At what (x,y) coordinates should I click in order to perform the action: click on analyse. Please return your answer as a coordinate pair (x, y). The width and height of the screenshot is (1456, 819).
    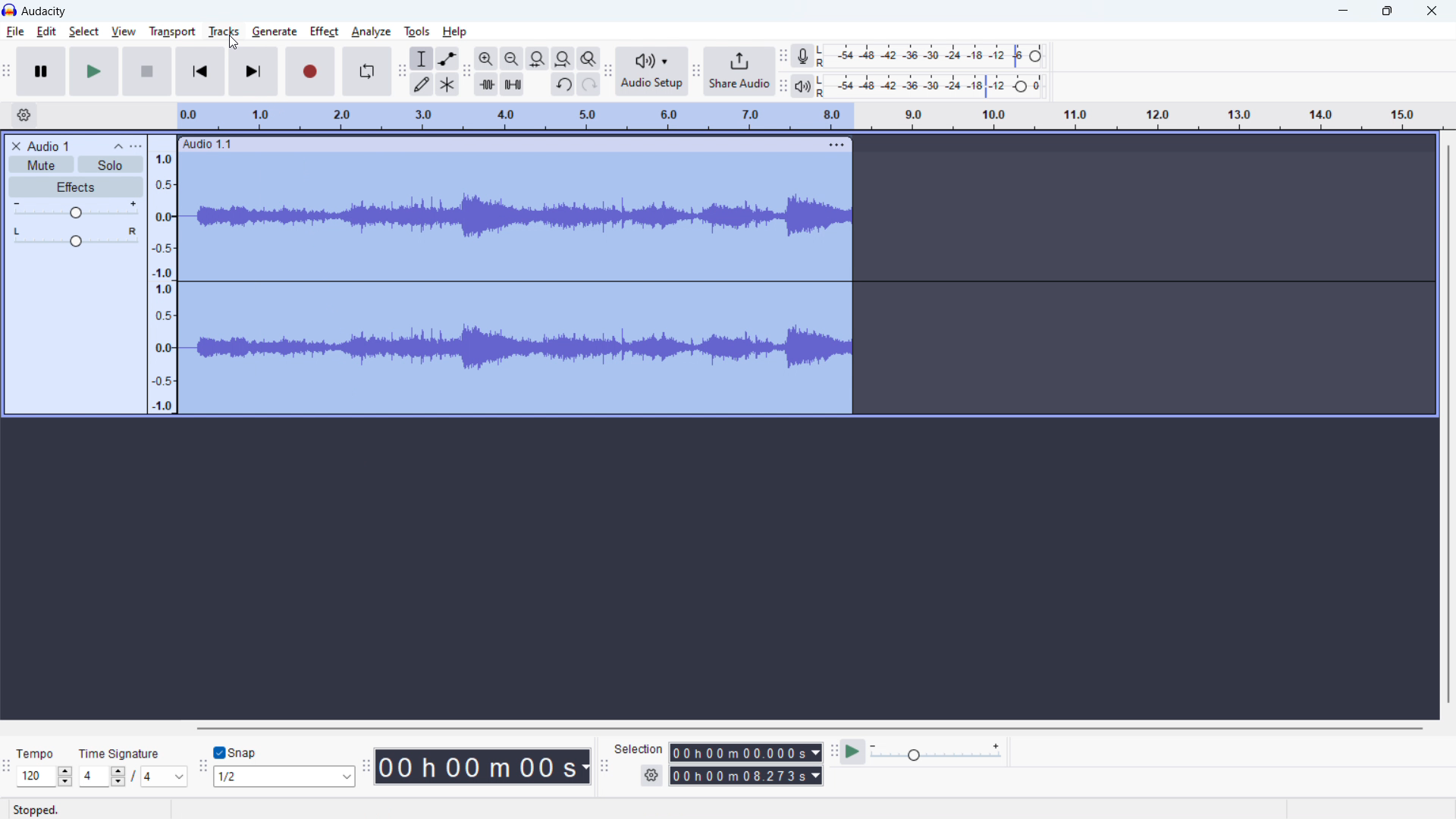
    Looking at the image, I should click on (371, 32).